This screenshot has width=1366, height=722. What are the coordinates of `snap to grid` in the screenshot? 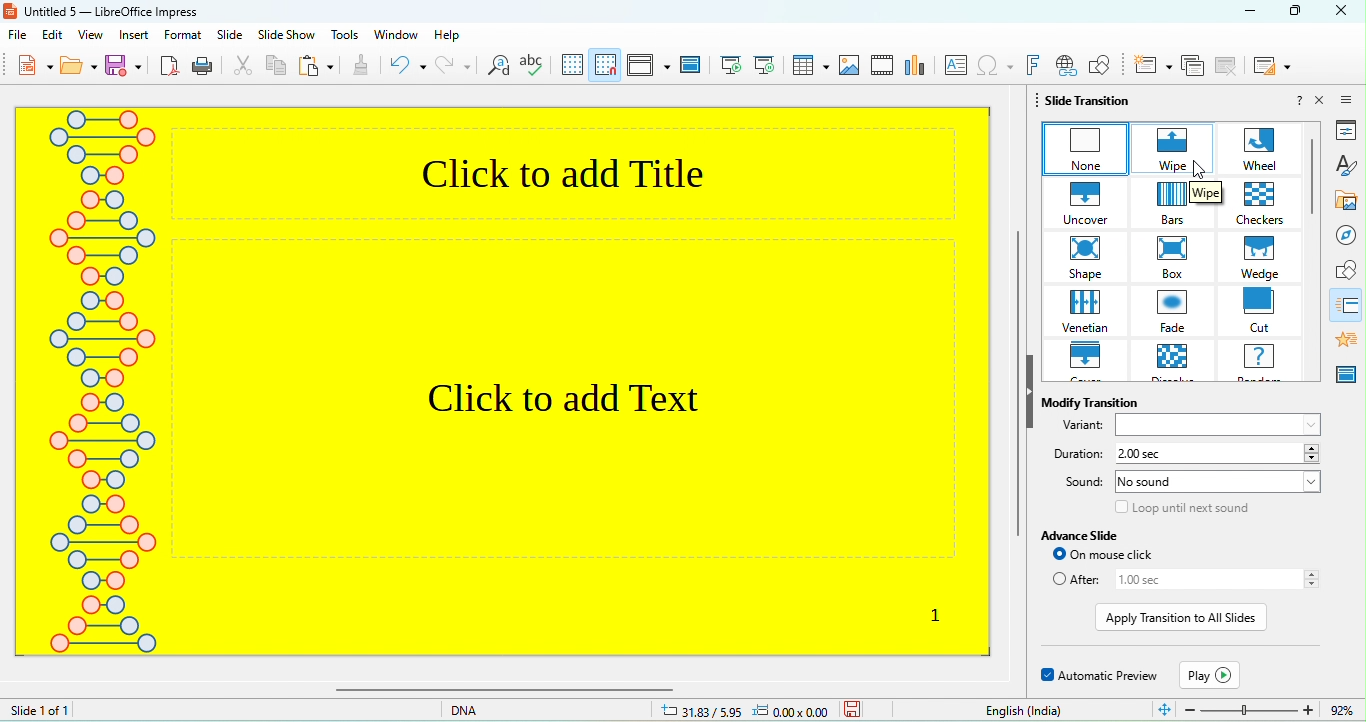 It's located at (606, 65).